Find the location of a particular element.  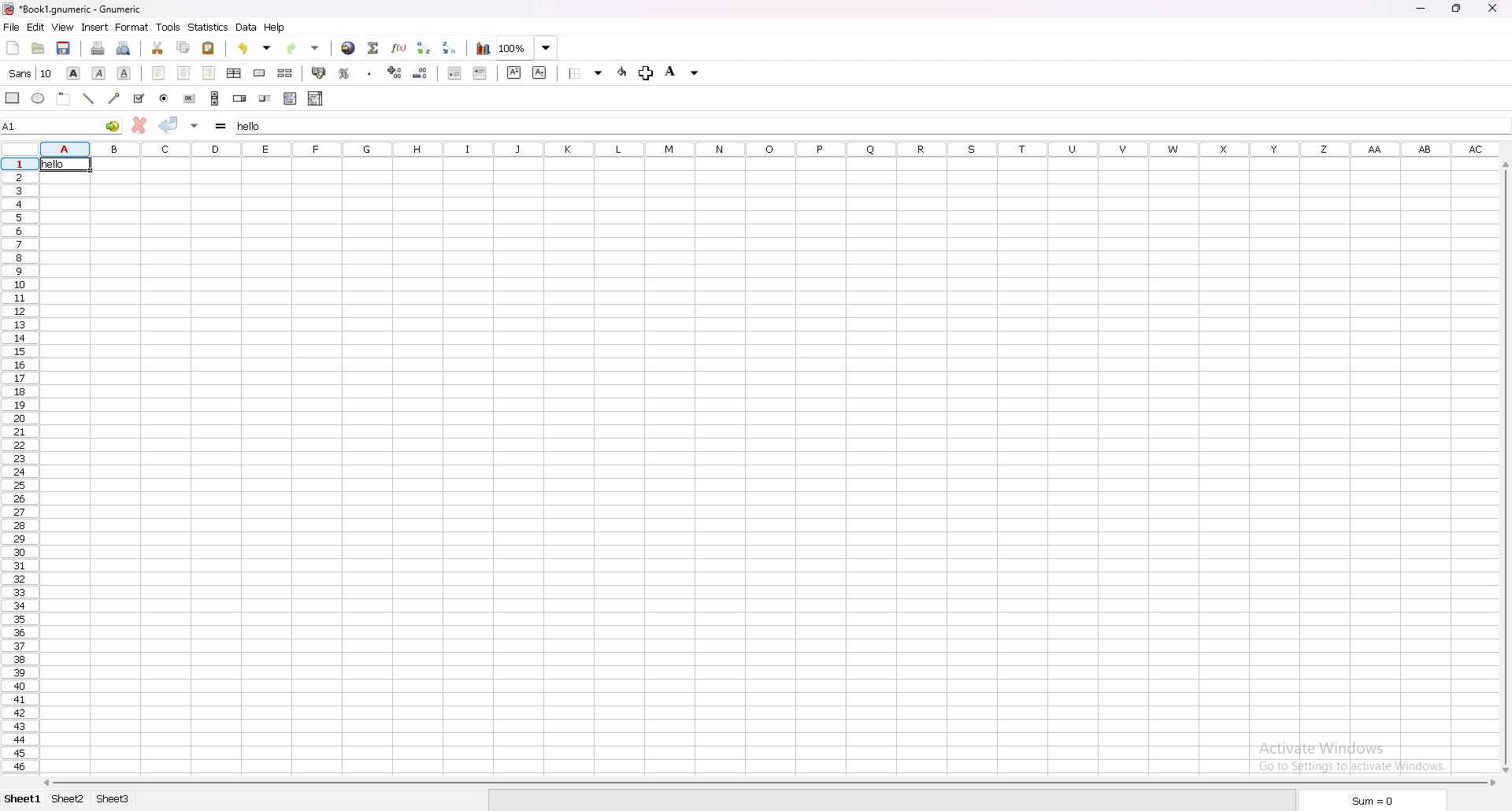

resize is located at coordinates (1457, 9).